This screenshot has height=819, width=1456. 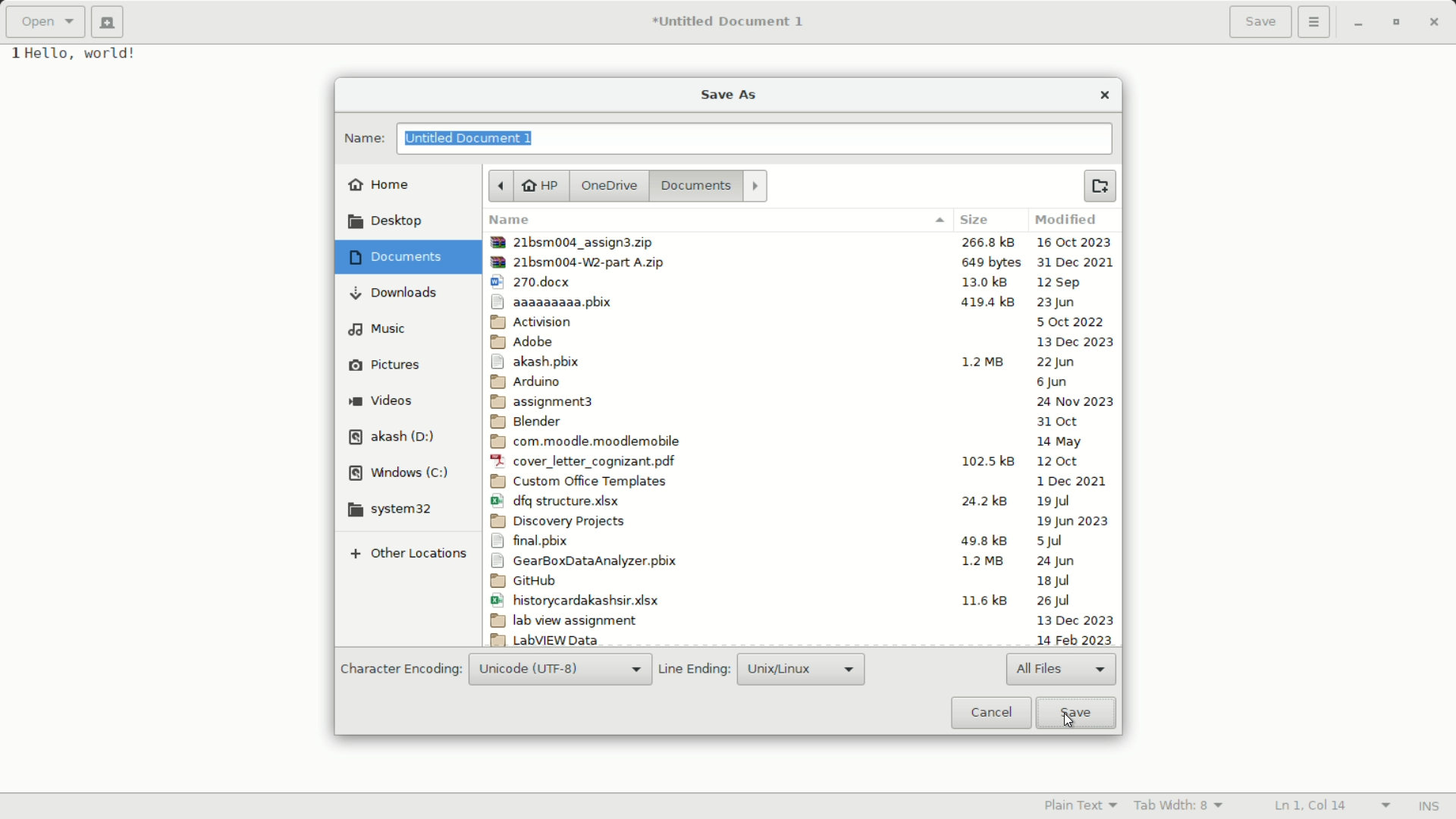 What do you see at coordinates (394, 258) in the screenshot?
I see `document` at bounding box center [394, 258].